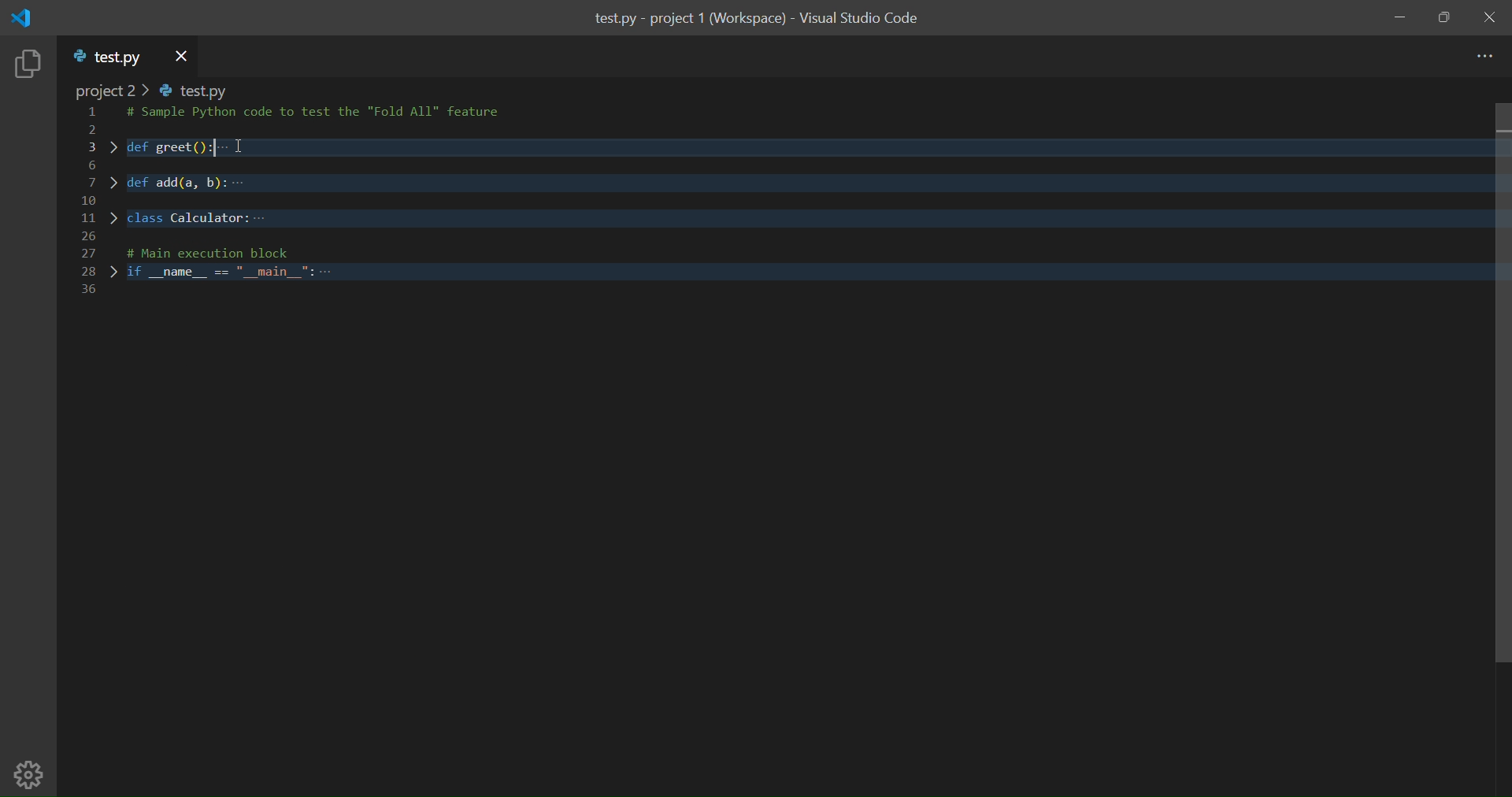 This screenshot has width=1512, height=797. Describe the element at coordinates (1445, 18) in the screenshot. I see `maximize` at that location.